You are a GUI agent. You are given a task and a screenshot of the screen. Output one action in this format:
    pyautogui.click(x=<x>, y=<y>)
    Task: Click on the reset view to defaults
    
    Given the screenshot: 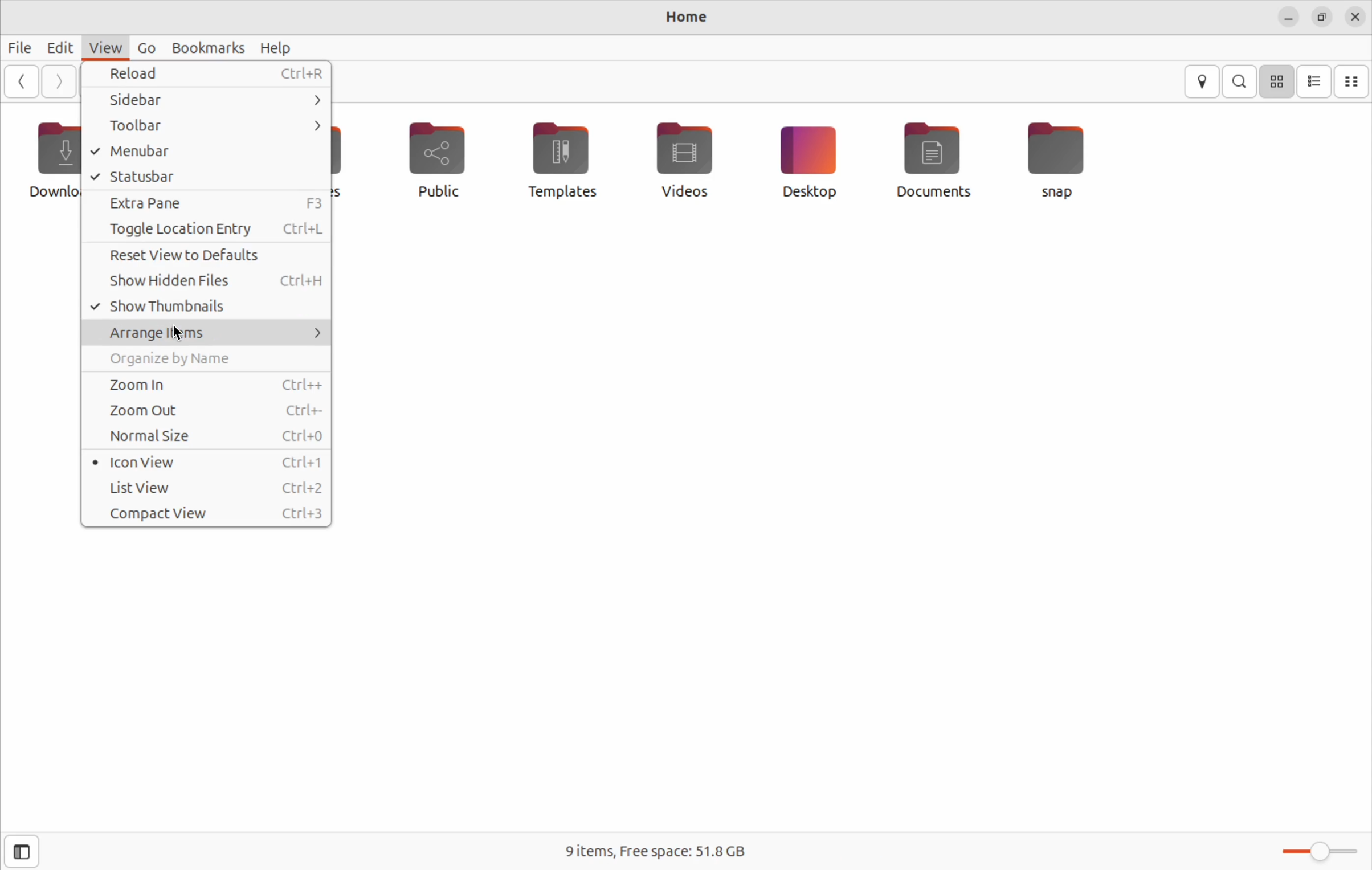 What is the action you would take?
    pyautogui.click(x=210, y=256)
    